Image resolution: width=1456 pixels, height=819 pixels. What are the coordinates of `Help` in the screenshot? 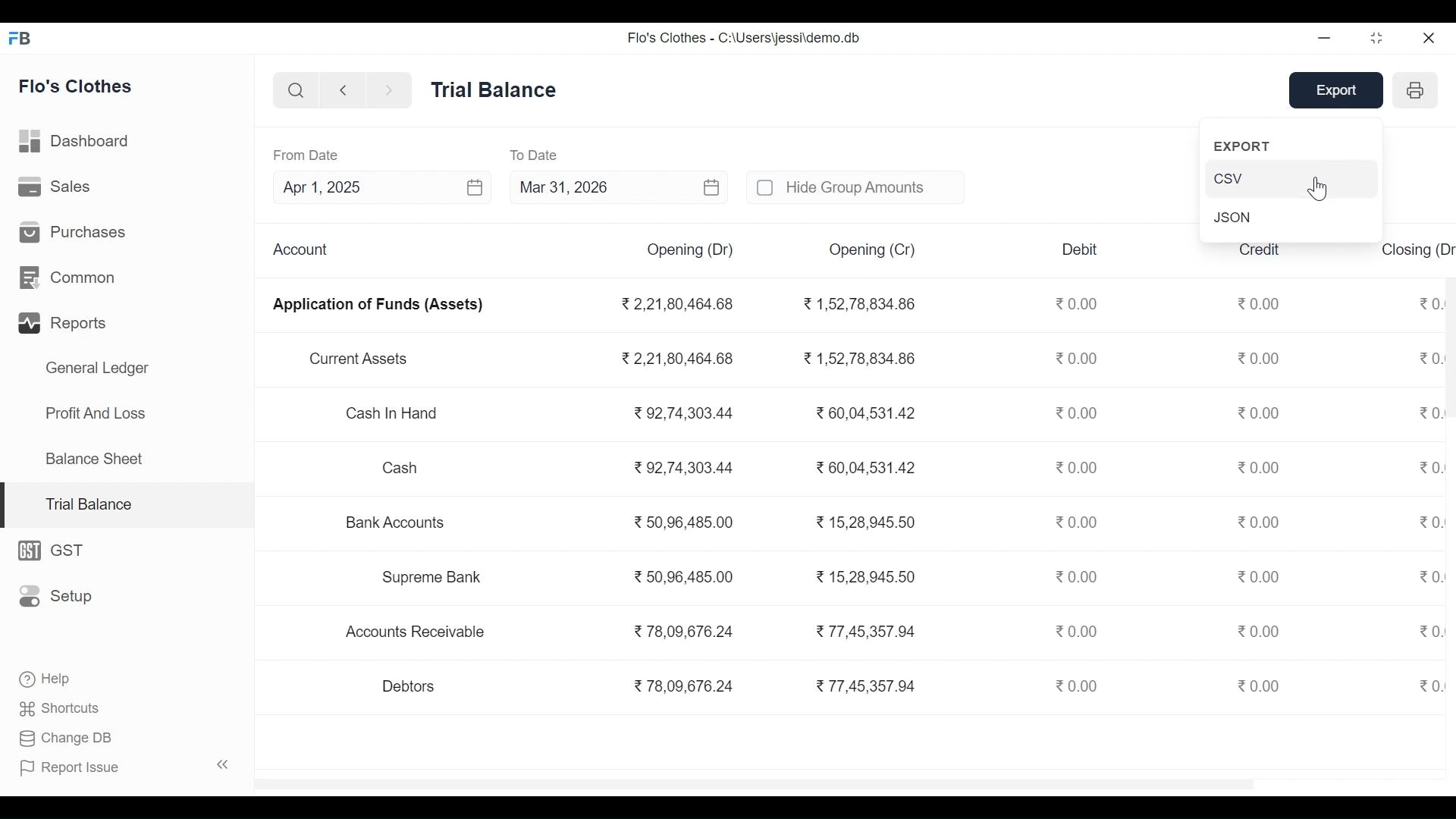 It's located at (42, 677).